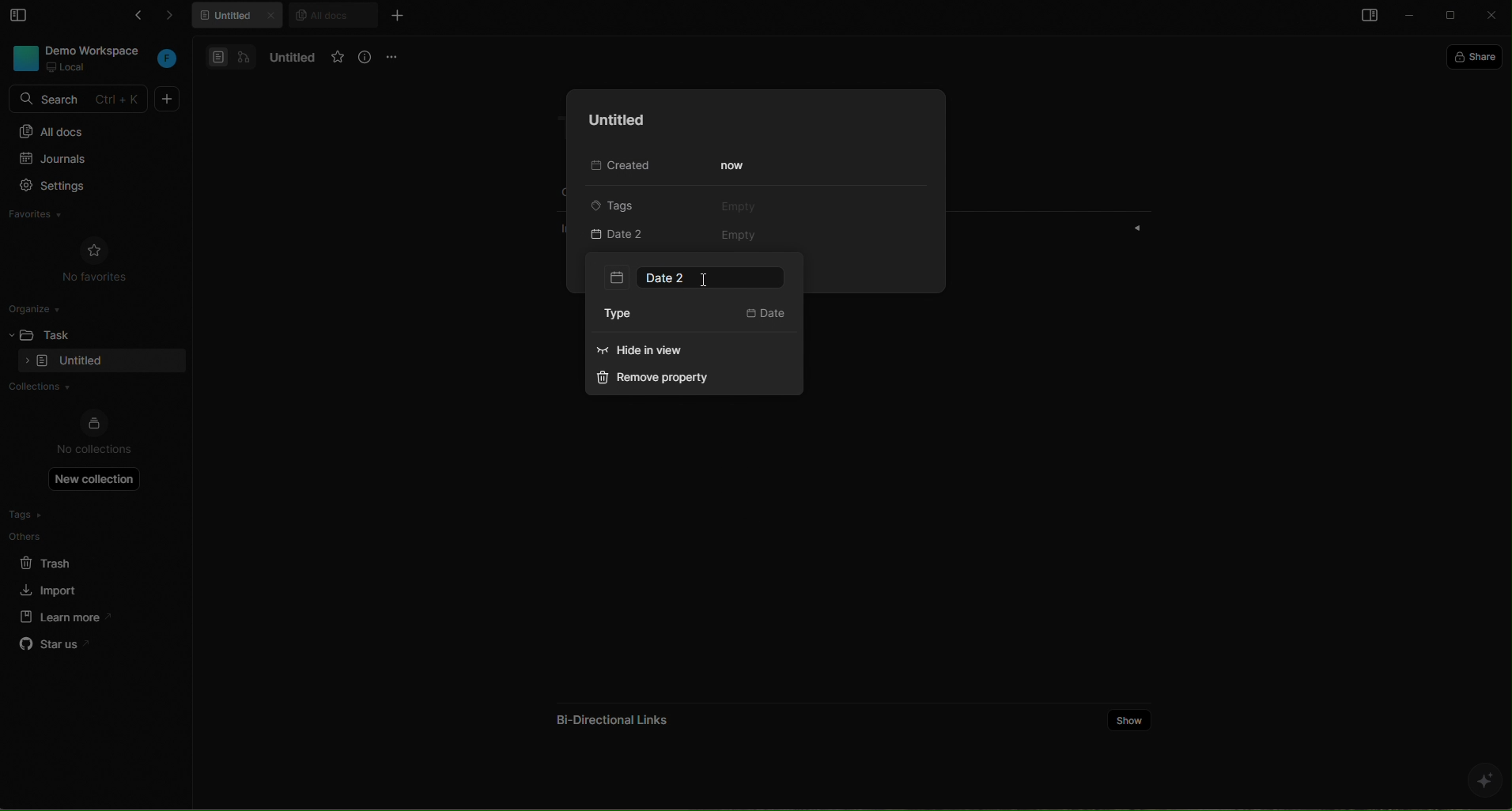 The image size is (1512, 811). Describe the element at coordinates (366, 58) in the screenshot. I see `info` at that location.